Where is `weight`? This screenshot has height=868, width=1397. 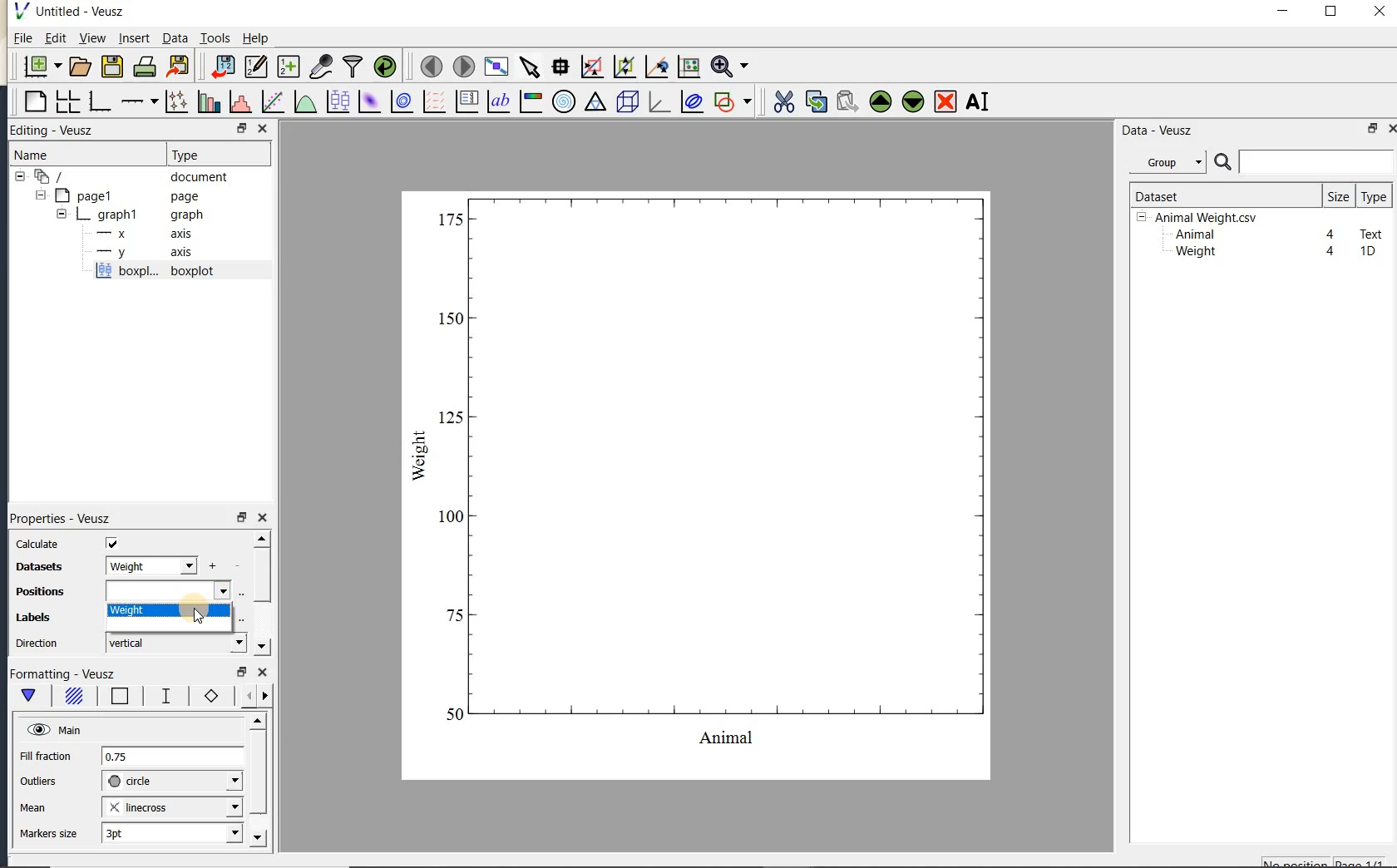
weight is located at coordinates (153, 566).